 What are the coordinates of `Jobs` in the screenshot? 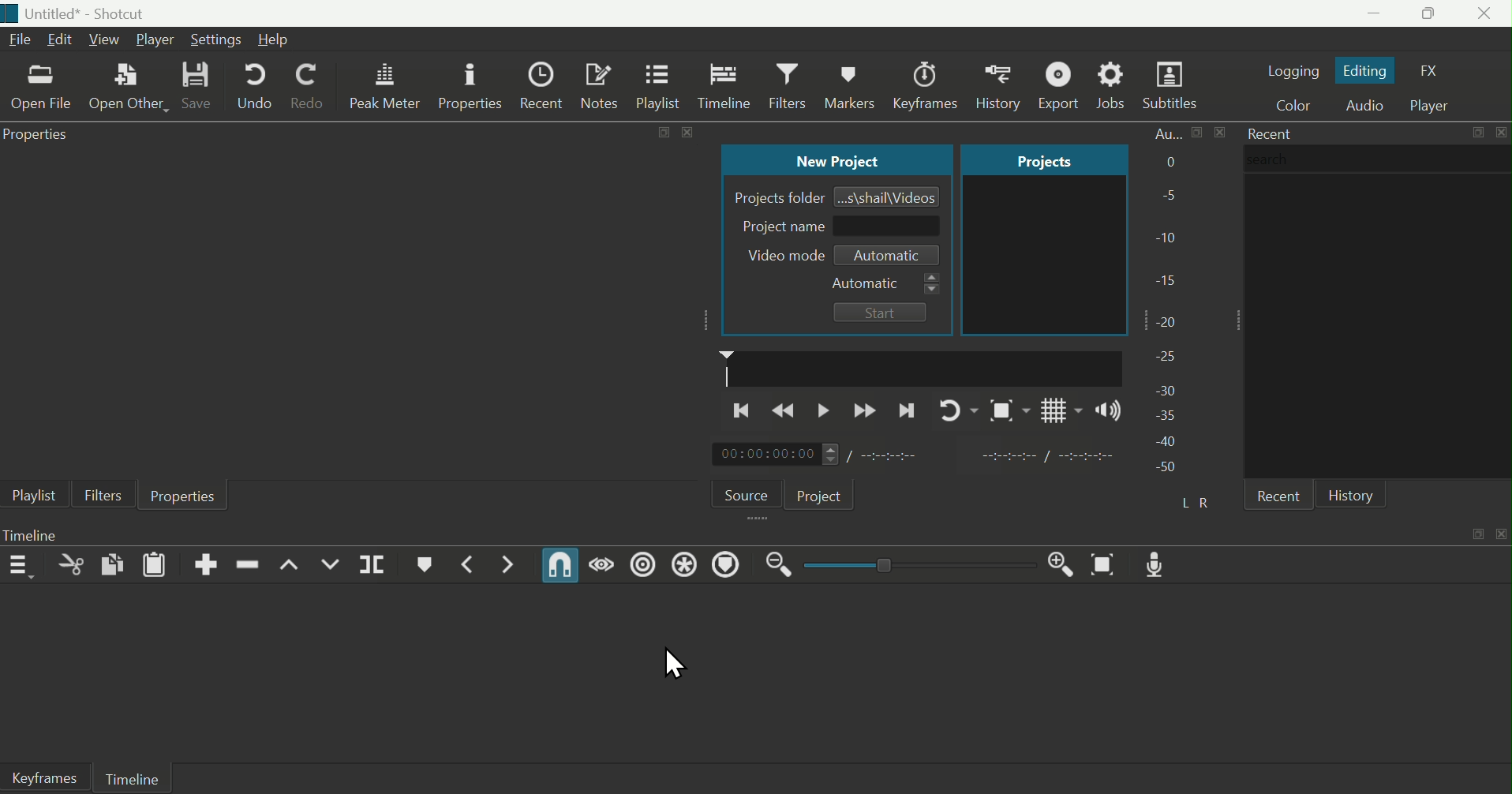 It's located at (1114, 86).